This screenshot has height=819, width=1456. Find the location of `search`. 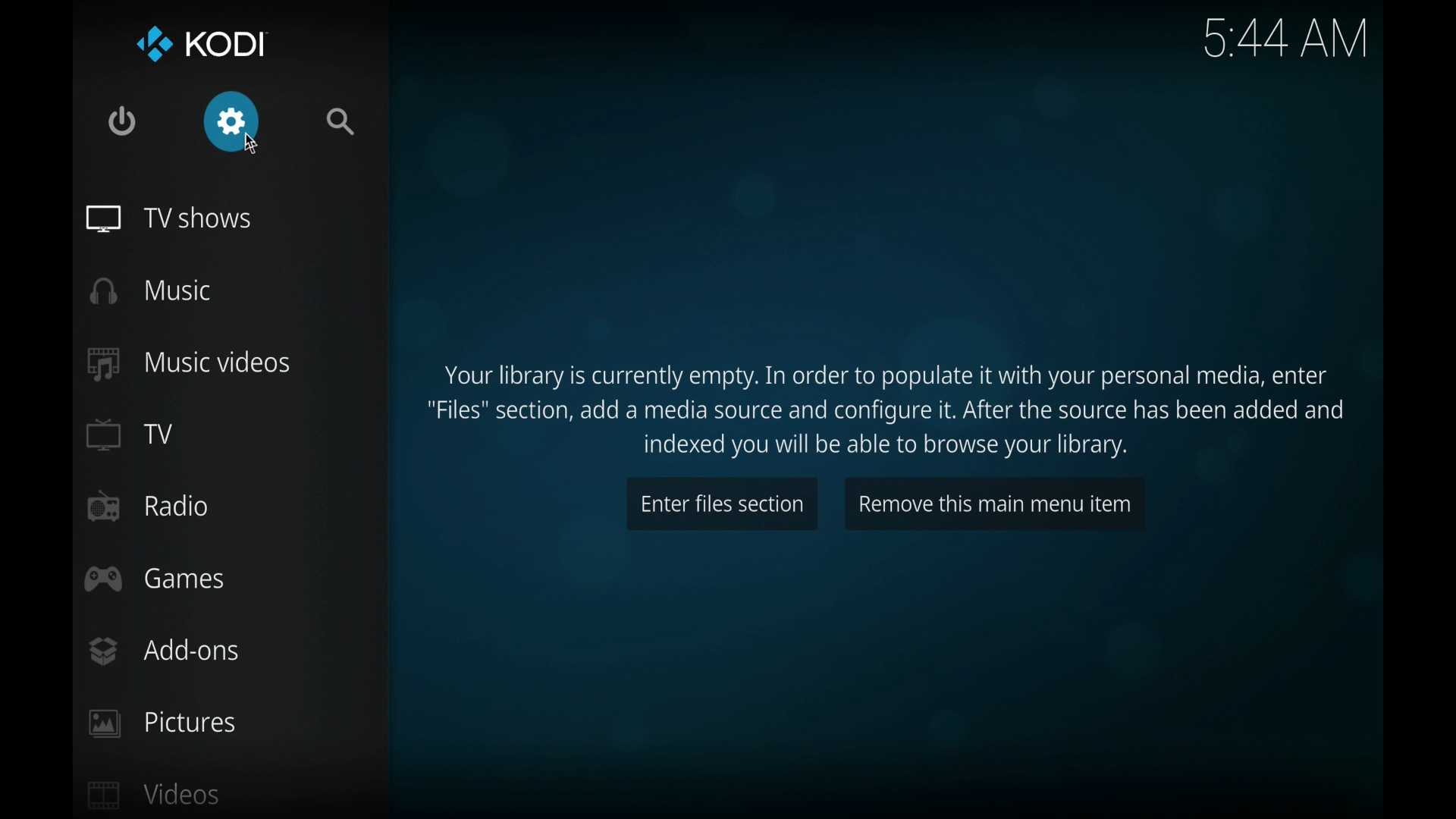

search is located at coordinates (342, 122).